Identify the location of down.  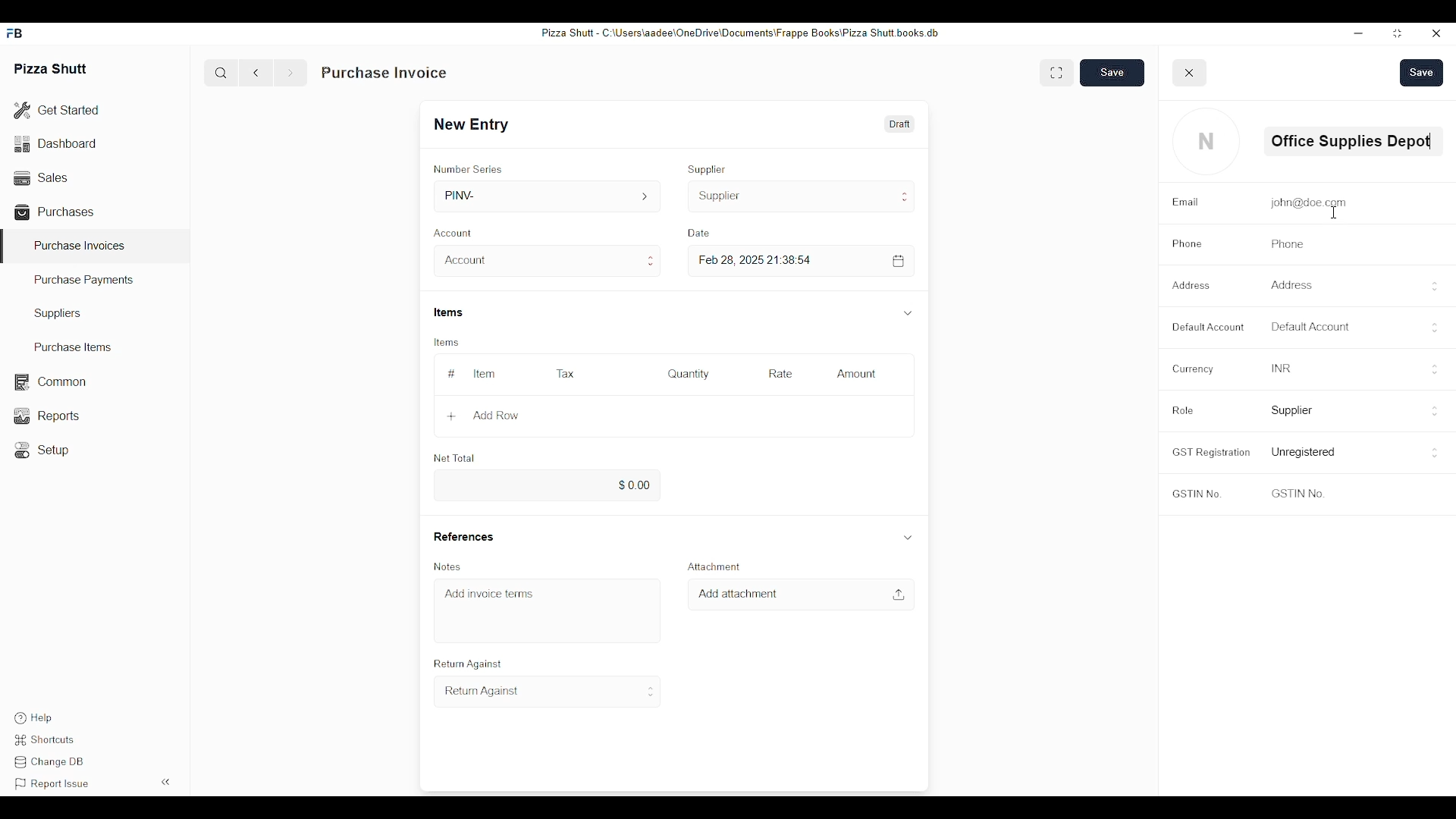
(907, 313).